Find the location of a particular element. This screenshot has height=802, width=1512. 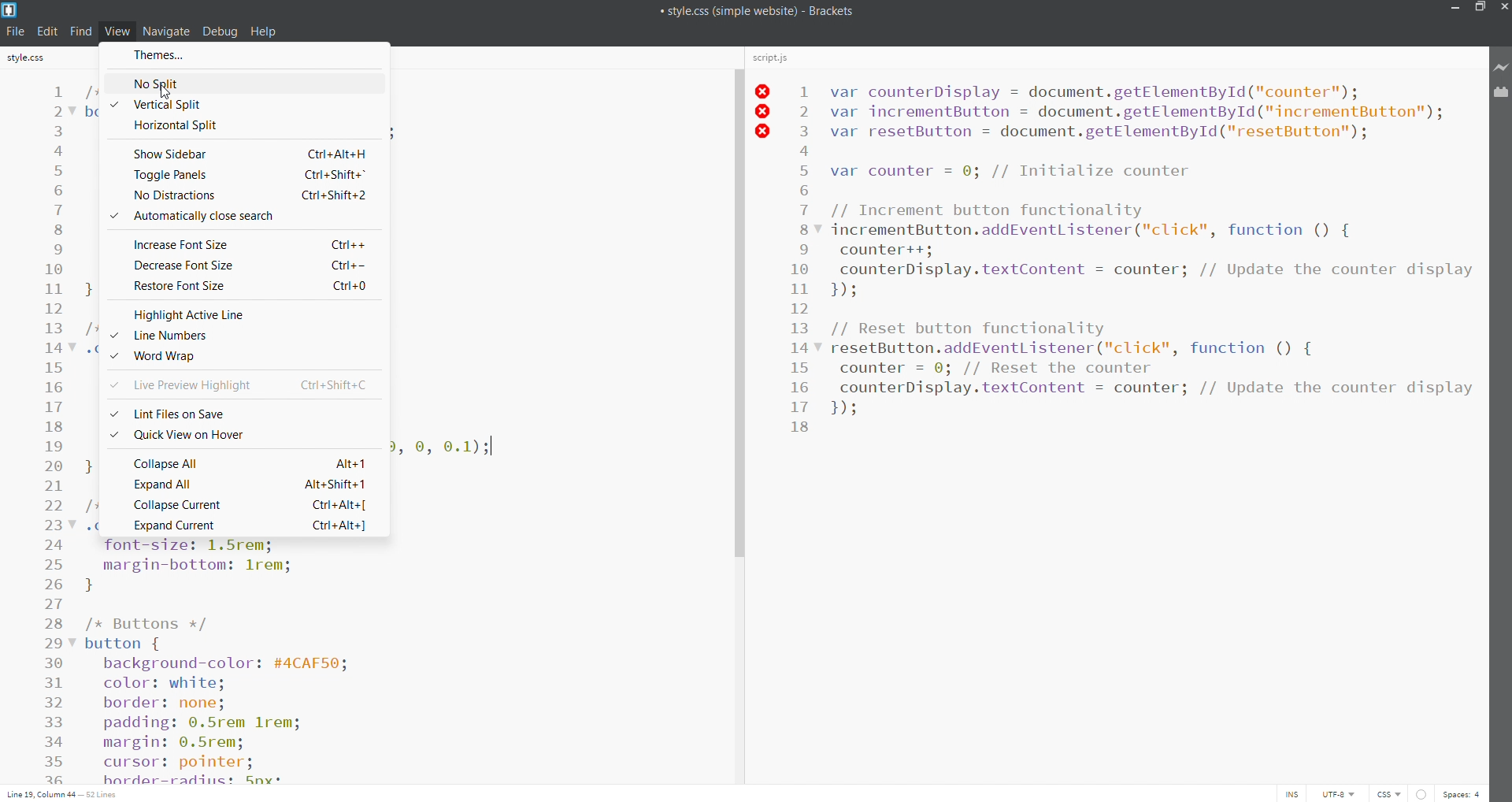

horizontal split is located at coordinates (243, 125).